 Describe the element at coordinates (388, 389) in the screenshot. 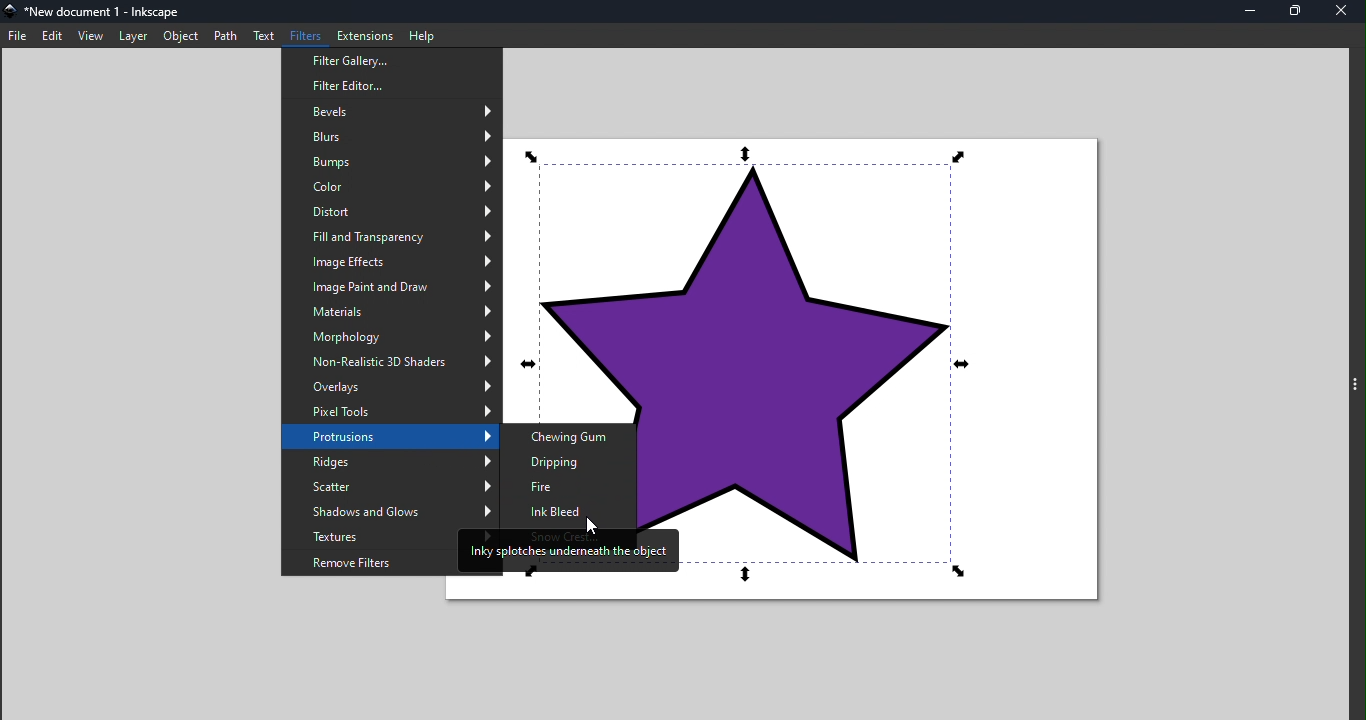

I see `Overlays` at that location.